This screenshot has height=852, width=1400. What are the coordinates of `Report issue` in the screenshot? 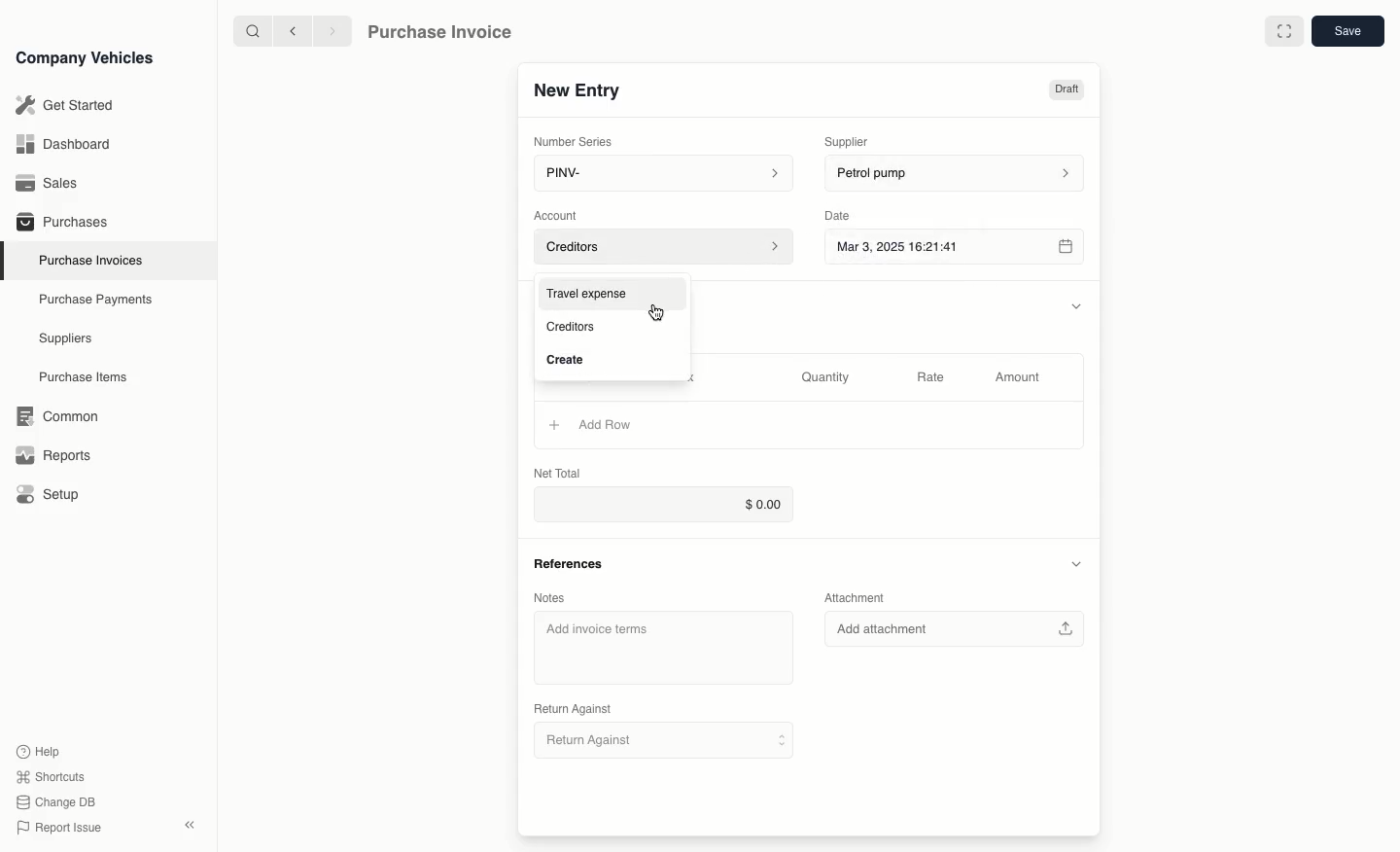 It's located at (62, 829).